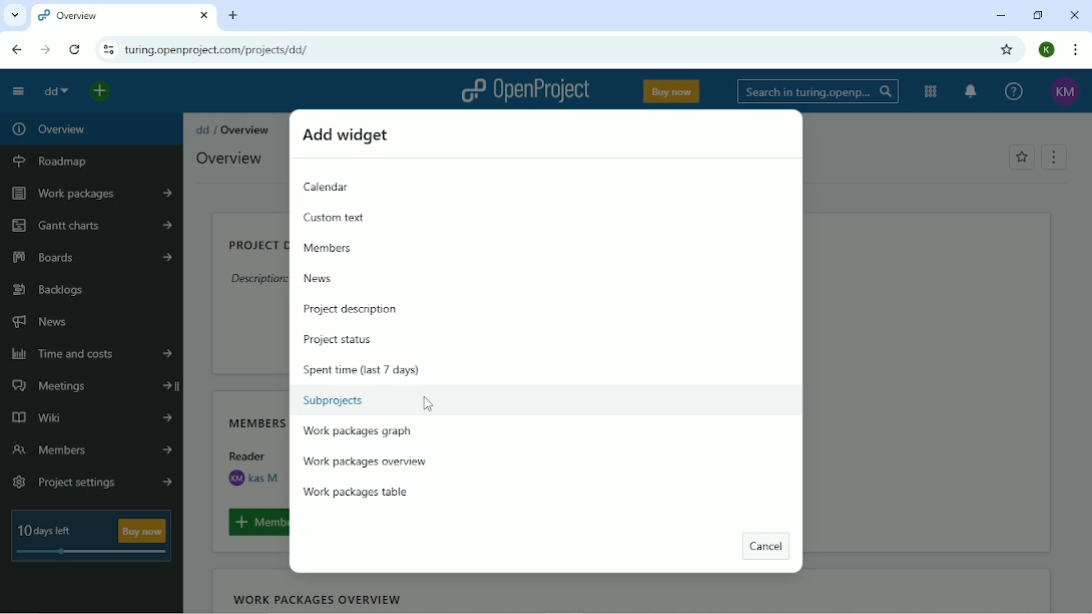  What do you see at coordinates (329, 248) in the screenshot?
I see `Members` at bounding box center [329, 248].